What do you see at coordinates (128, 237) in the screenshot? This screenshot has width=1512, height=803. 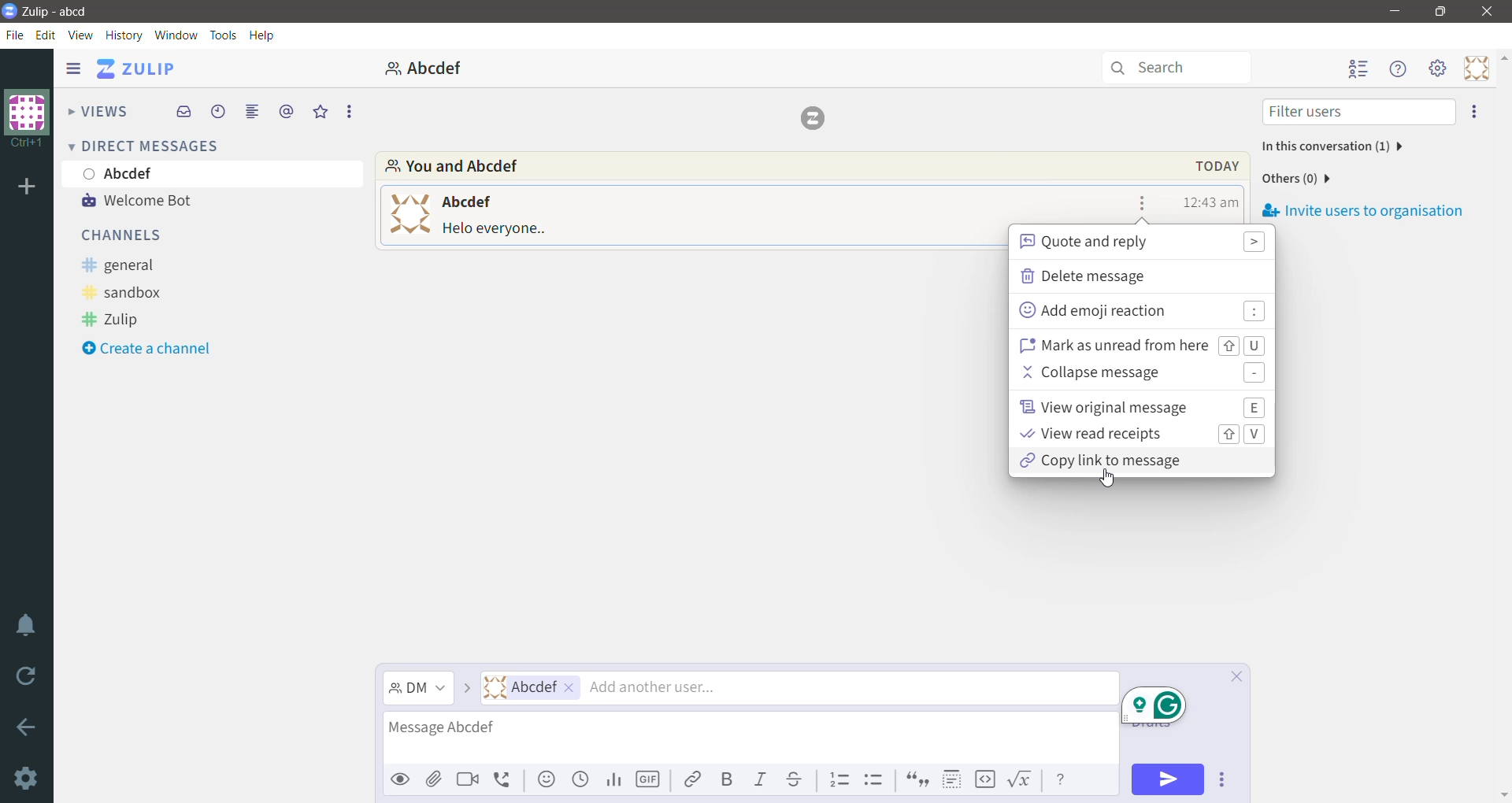 I see `Channels` at bounding box center [128, 237].